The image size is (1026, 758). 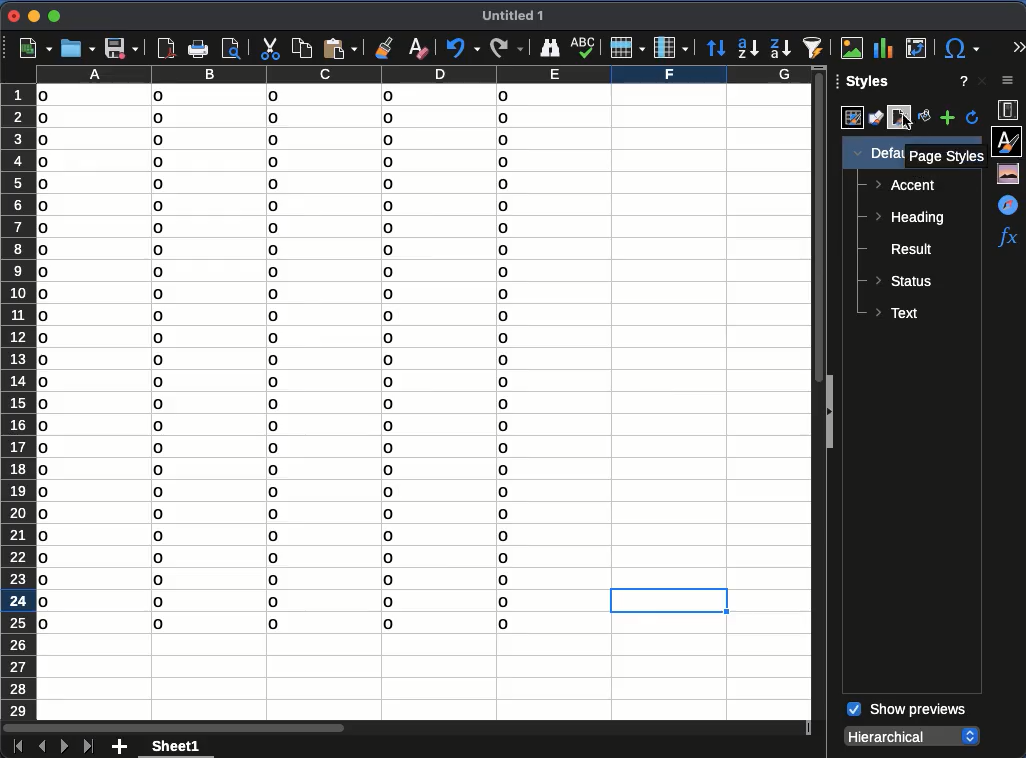 What do you see at coordinates (384, 47) in the screenshot?
I see `clone formatting` at bounding box center [384, 47].